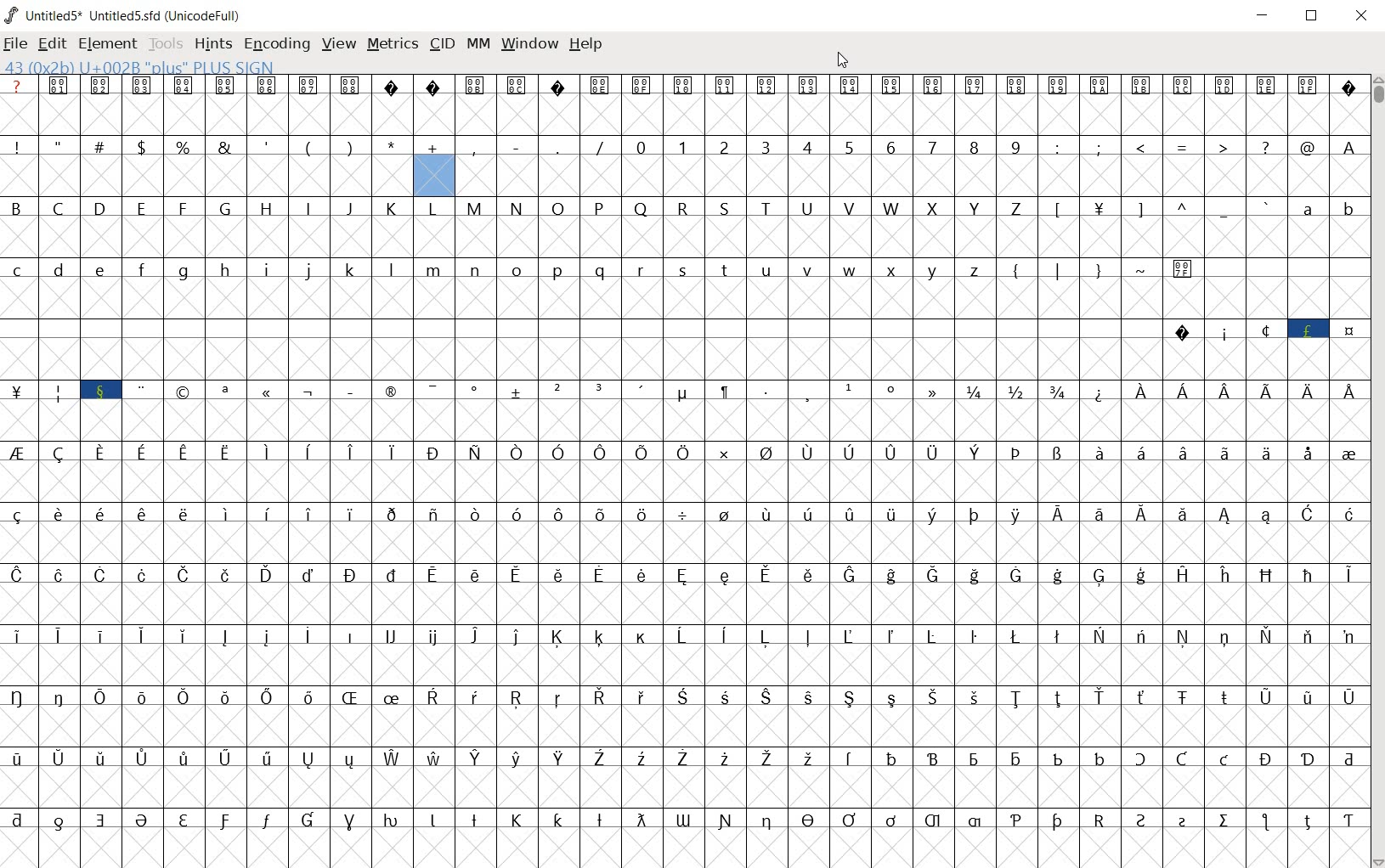 The height and width of the screenshot is (868, 1385). Describe the element at coordinates (142, 67) in the screenshot. I see `43 (0X2B) u+002b "plus" PLUS SIGN` at that location.